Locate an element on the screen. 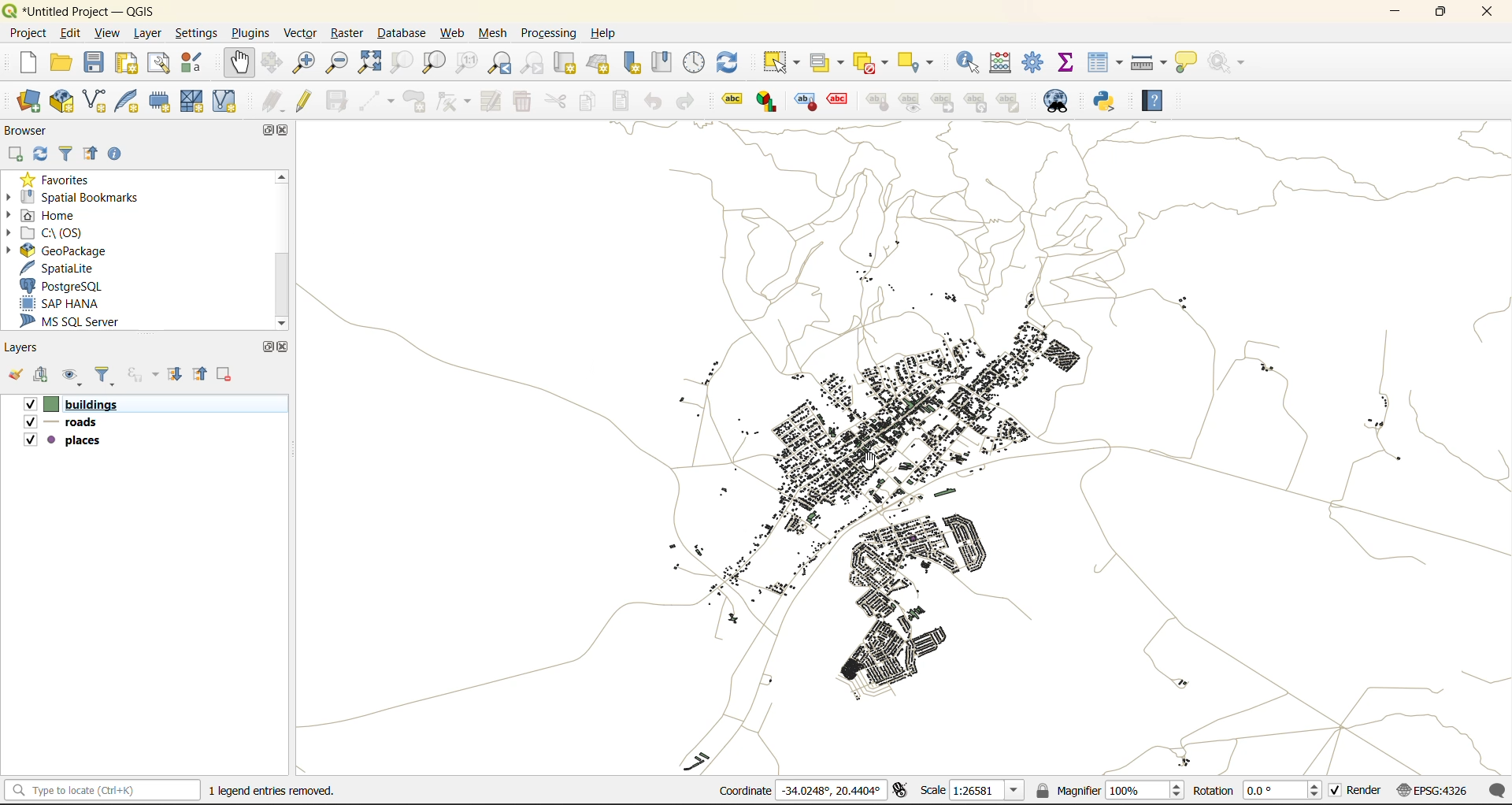 The height and width of the screenshot is (805, 1512). help is located at coordinates (1161, 101).